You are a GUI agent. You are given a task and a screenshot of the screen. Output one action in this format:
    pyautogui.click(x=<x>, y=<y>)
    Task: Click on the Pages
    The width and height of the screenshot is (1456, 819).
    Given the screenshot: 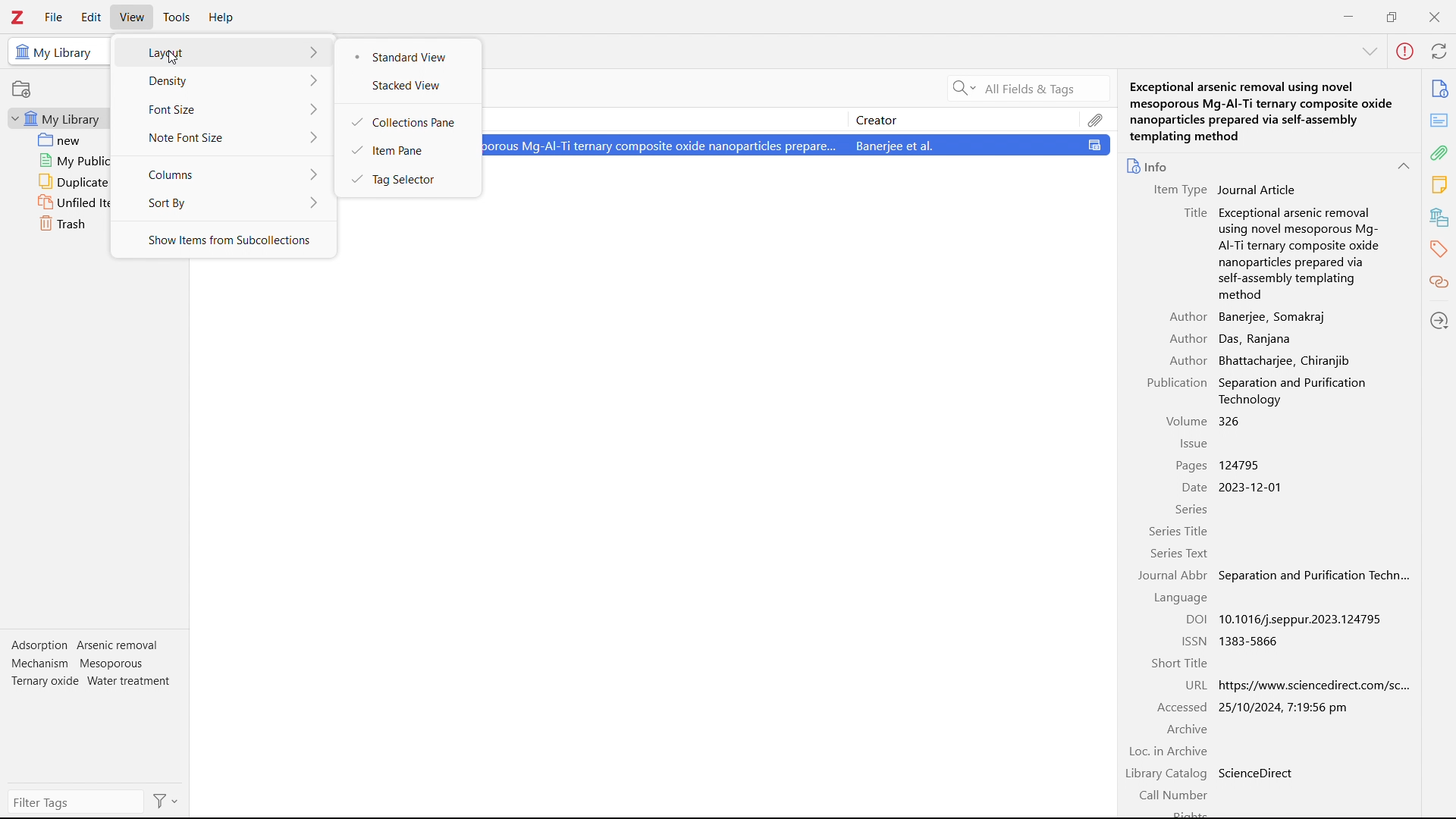 What is the action you would take?
    pyautogui.click(x=1191, y=466)
    